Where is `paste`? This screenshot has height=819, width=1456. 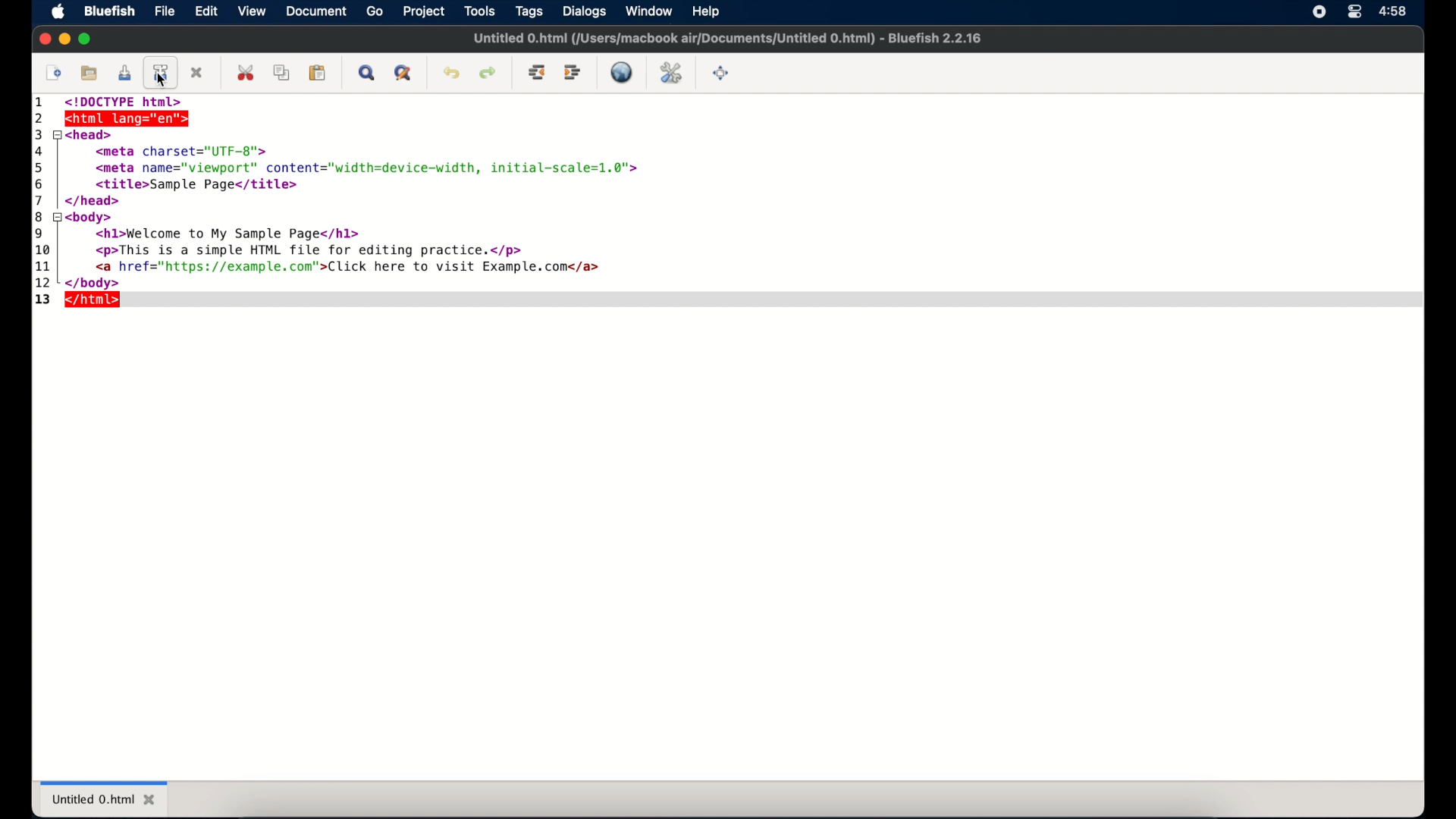
paste is located at coordinates (318, 73).